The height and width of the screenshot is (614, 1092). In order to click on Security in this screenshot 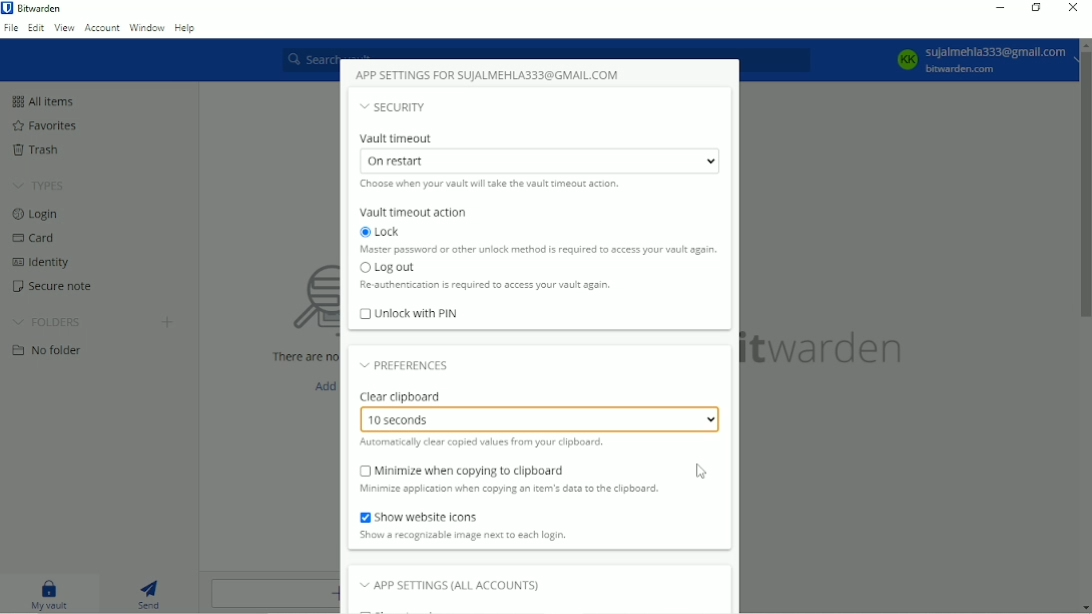, I will do `click(394, 107)`.